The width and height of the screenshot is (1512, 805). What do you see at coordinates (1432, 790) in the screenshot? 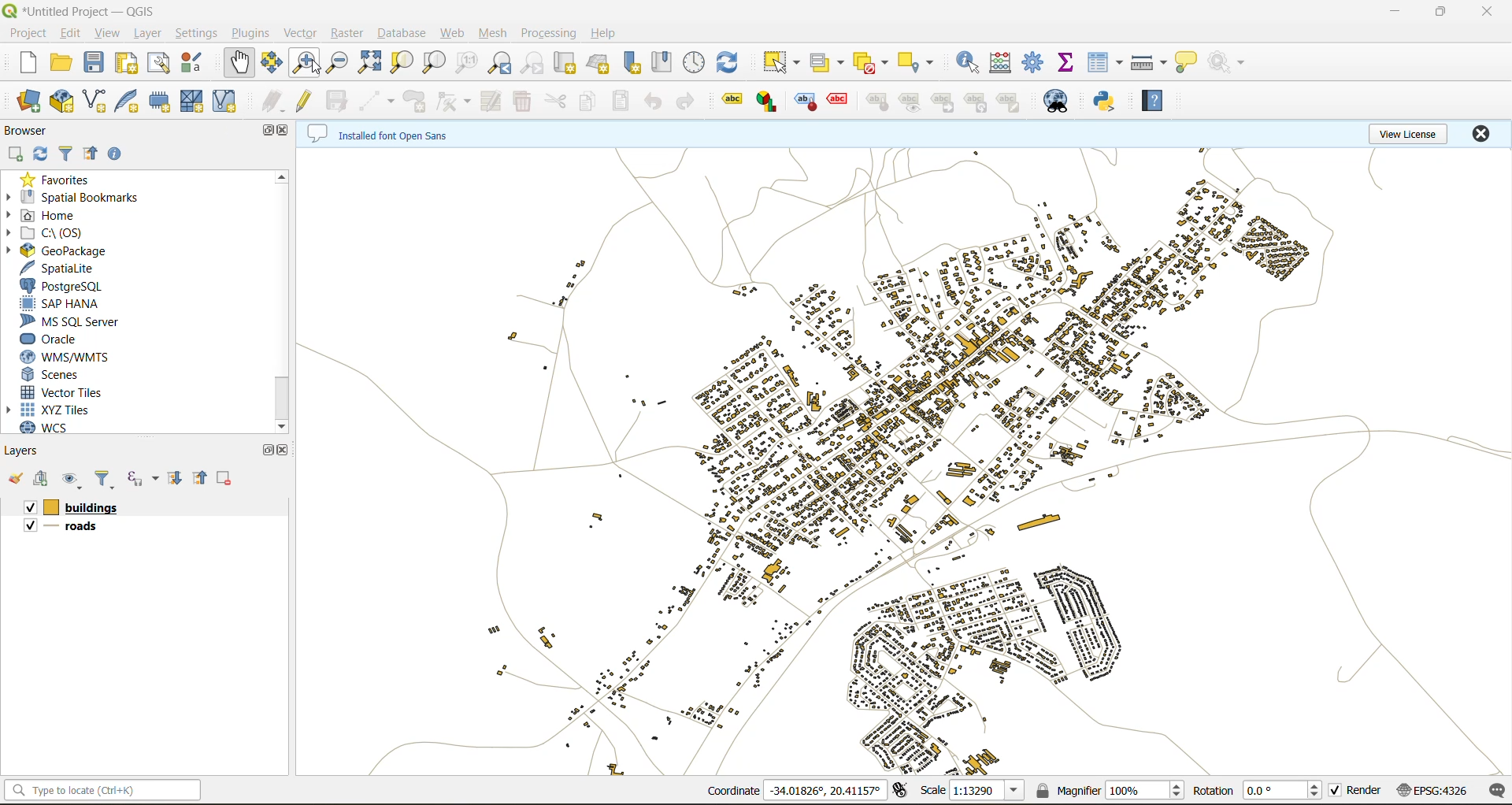
I see `crs` at bounding box center [1432, 790].